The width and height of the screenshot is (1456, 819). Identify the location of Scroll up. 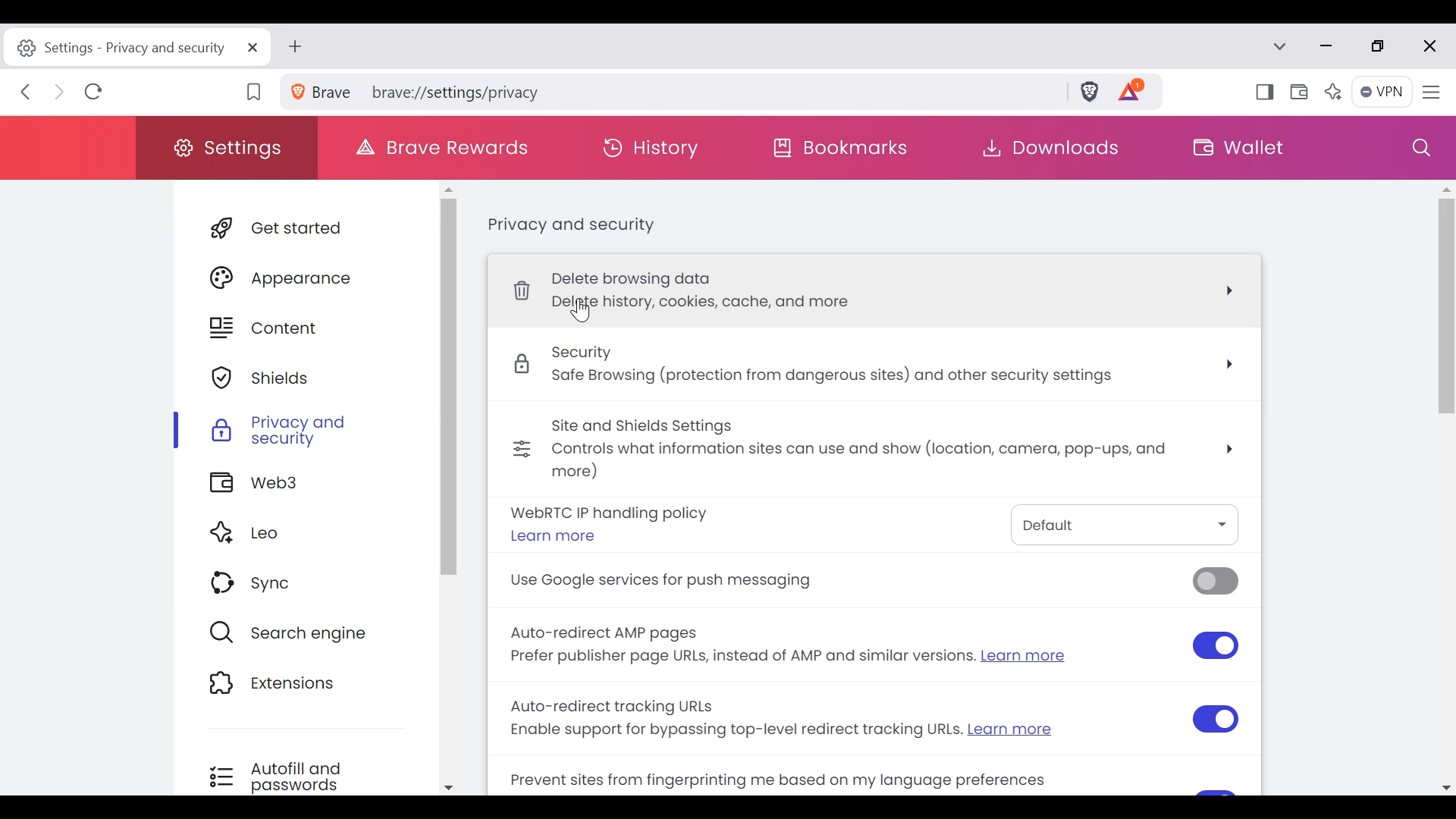
(1445, 188).